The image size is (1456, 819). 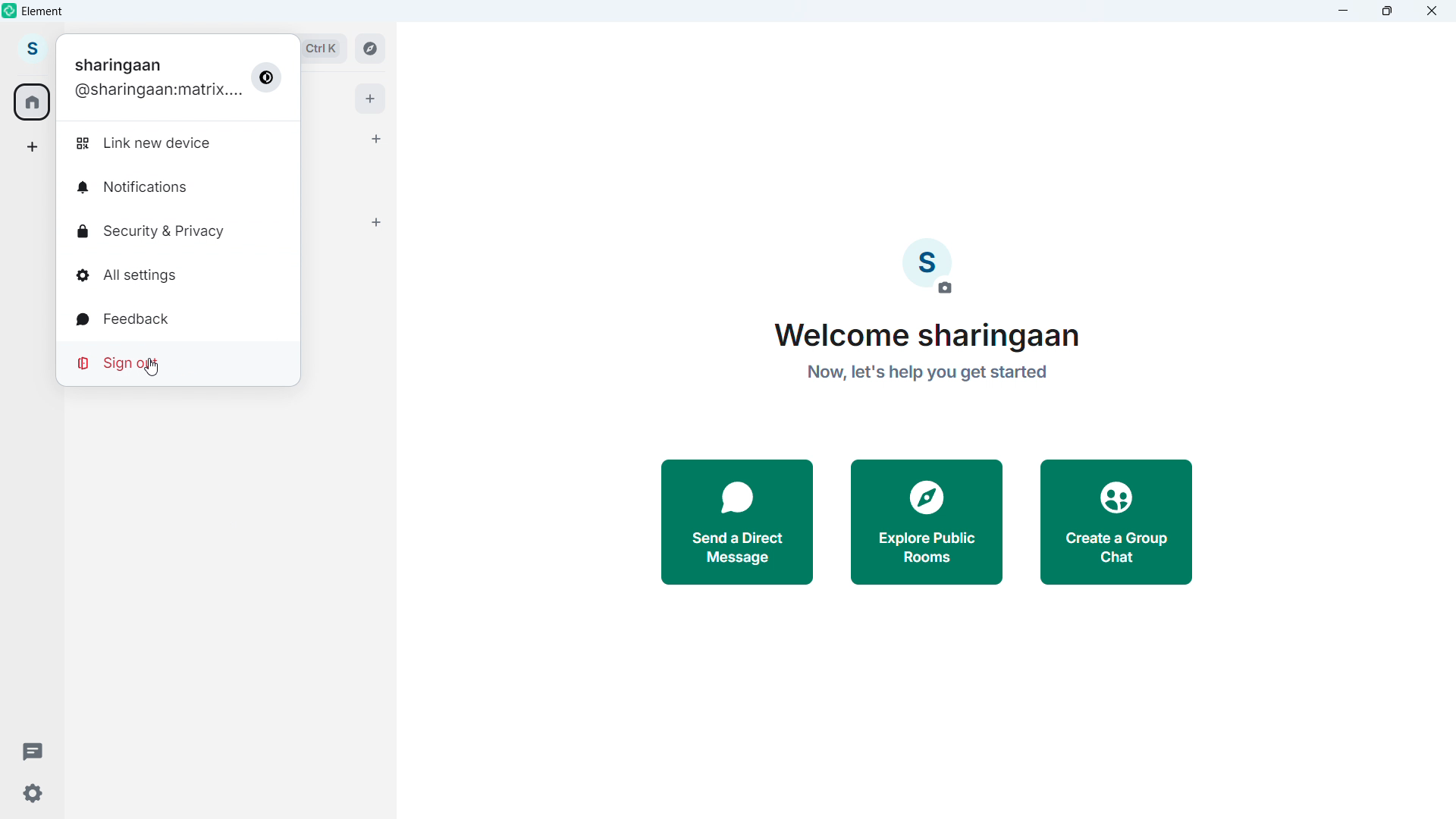 I want to click on now, let's help you get started, so click(x=927, y=378).